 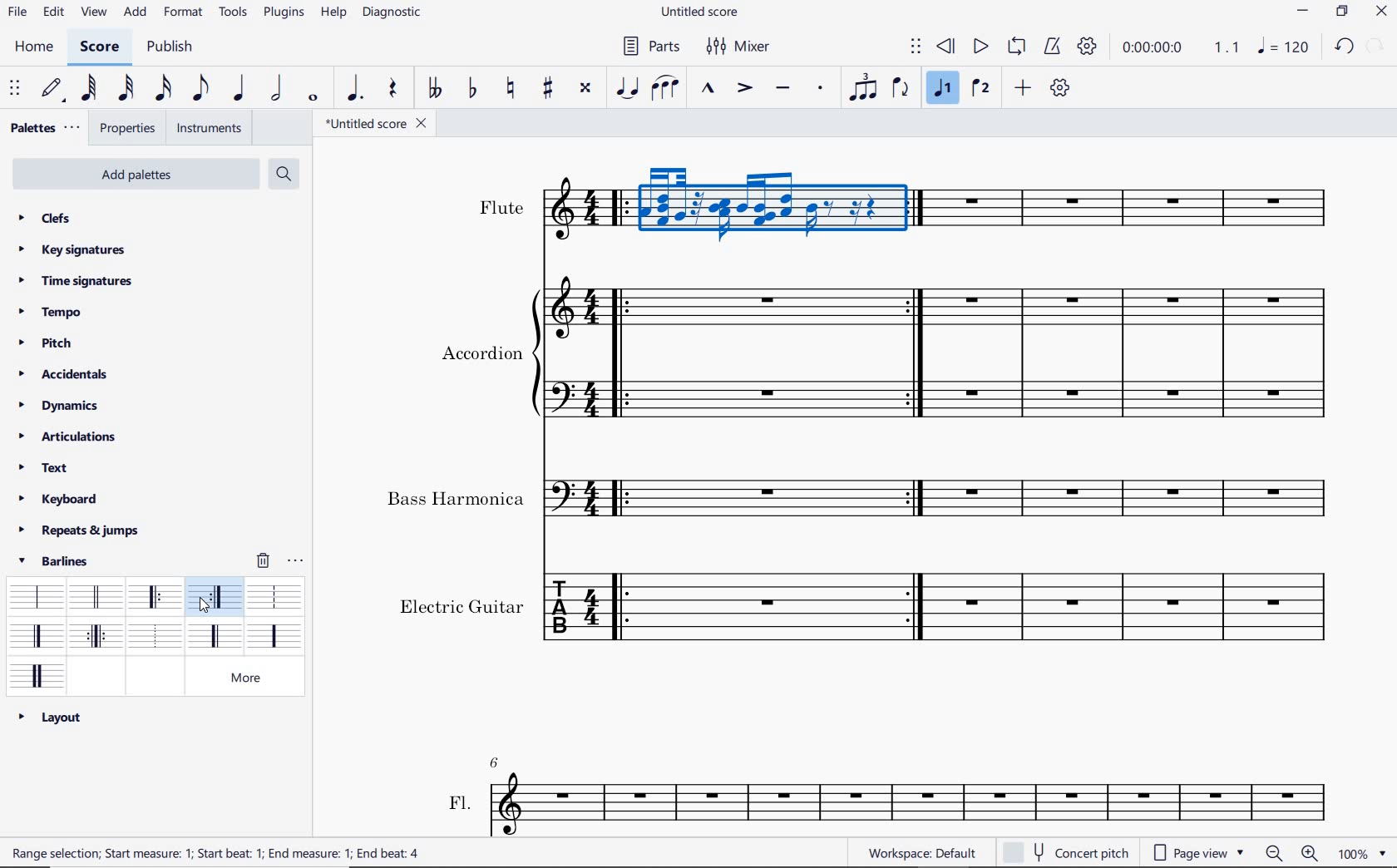 What do you see at coordinates (37, 674) in the screenshot?
I see `heavy double barline` at bounding box center [37, 674].